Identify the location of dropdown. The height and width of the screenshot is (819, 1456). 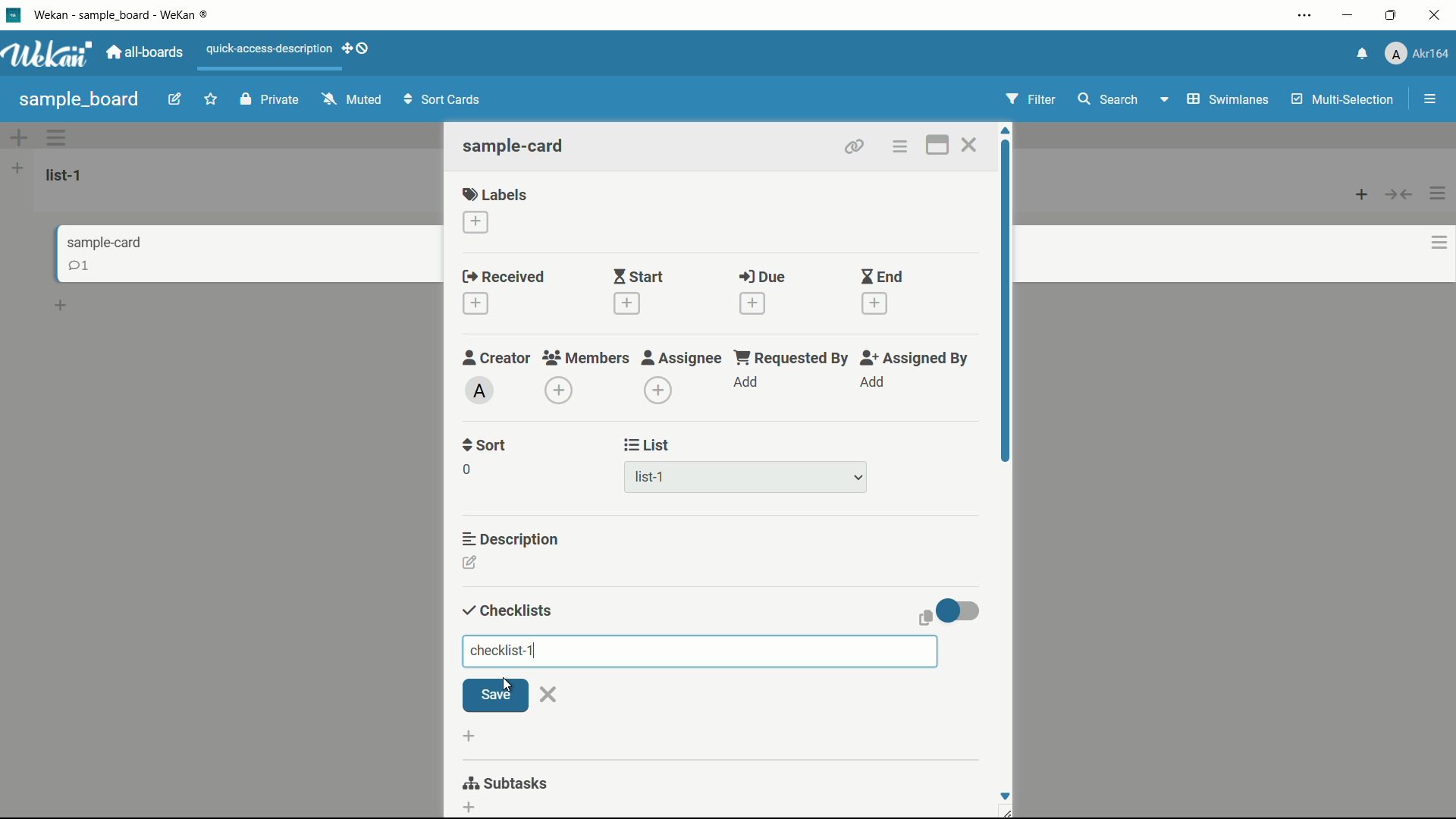
(859, 478).